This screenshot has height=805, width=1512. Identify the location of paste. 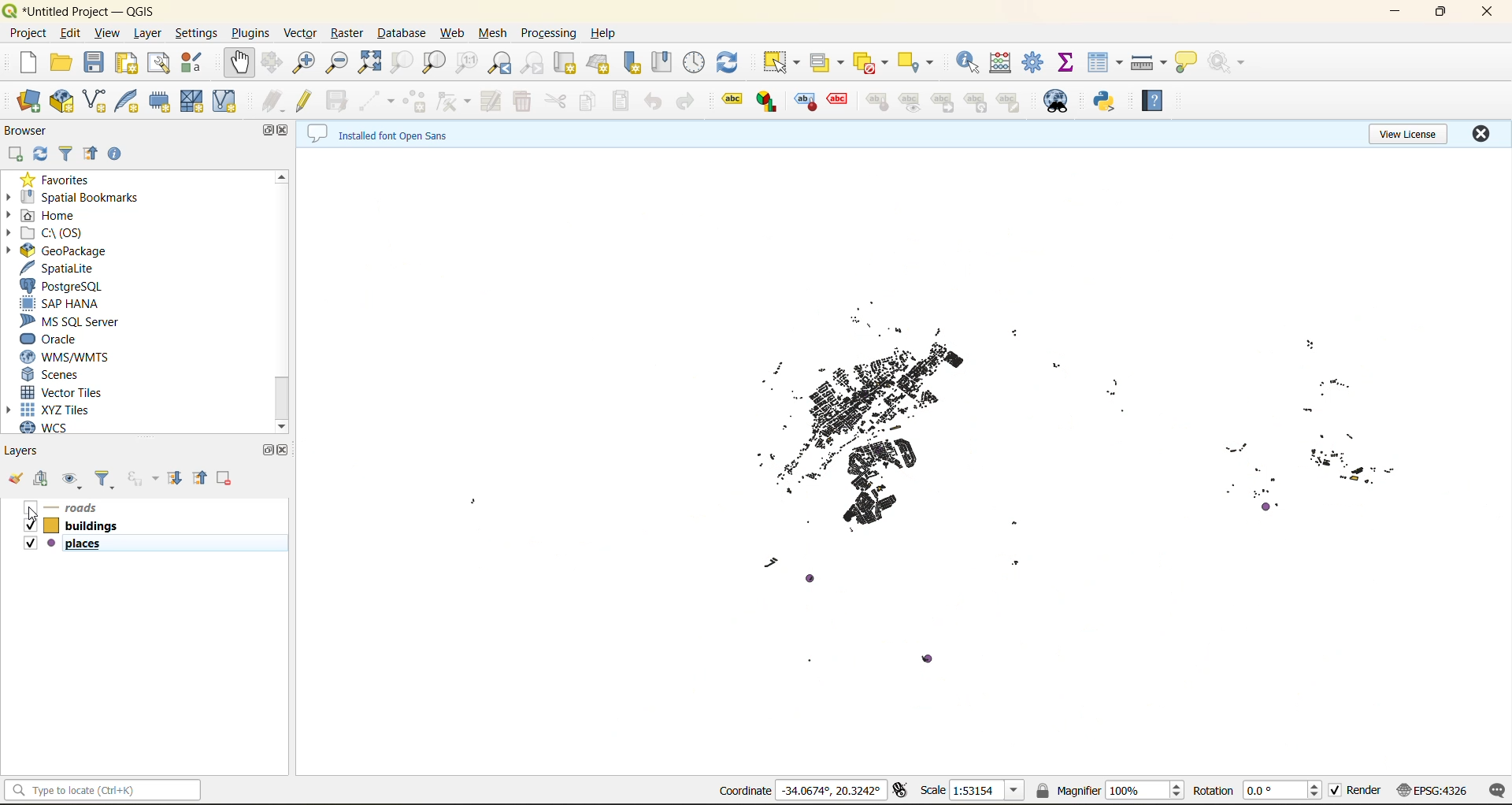
(617, 102).